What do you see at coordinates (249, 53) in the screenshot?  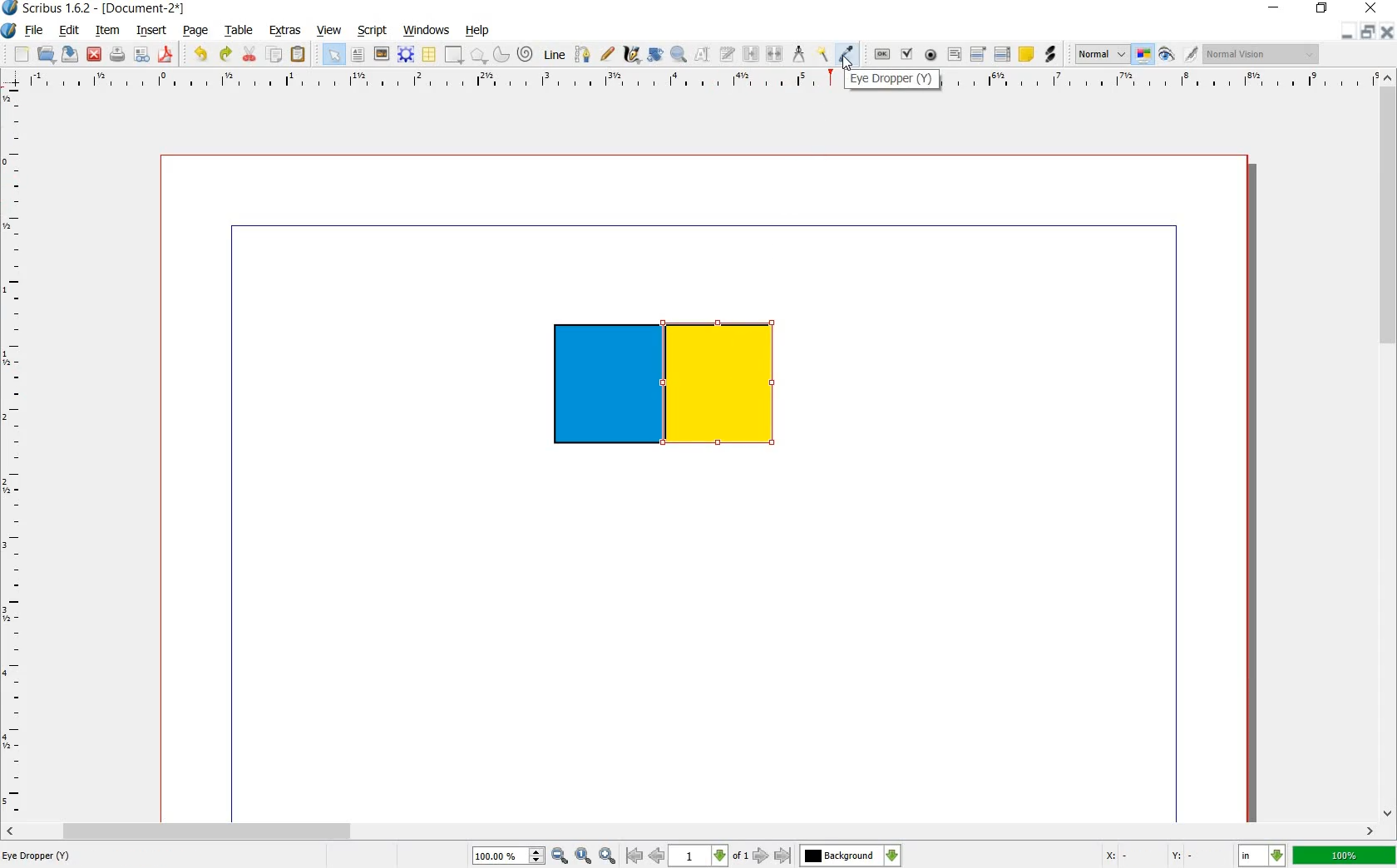 I see `cut` at bounding box center [249, 53].